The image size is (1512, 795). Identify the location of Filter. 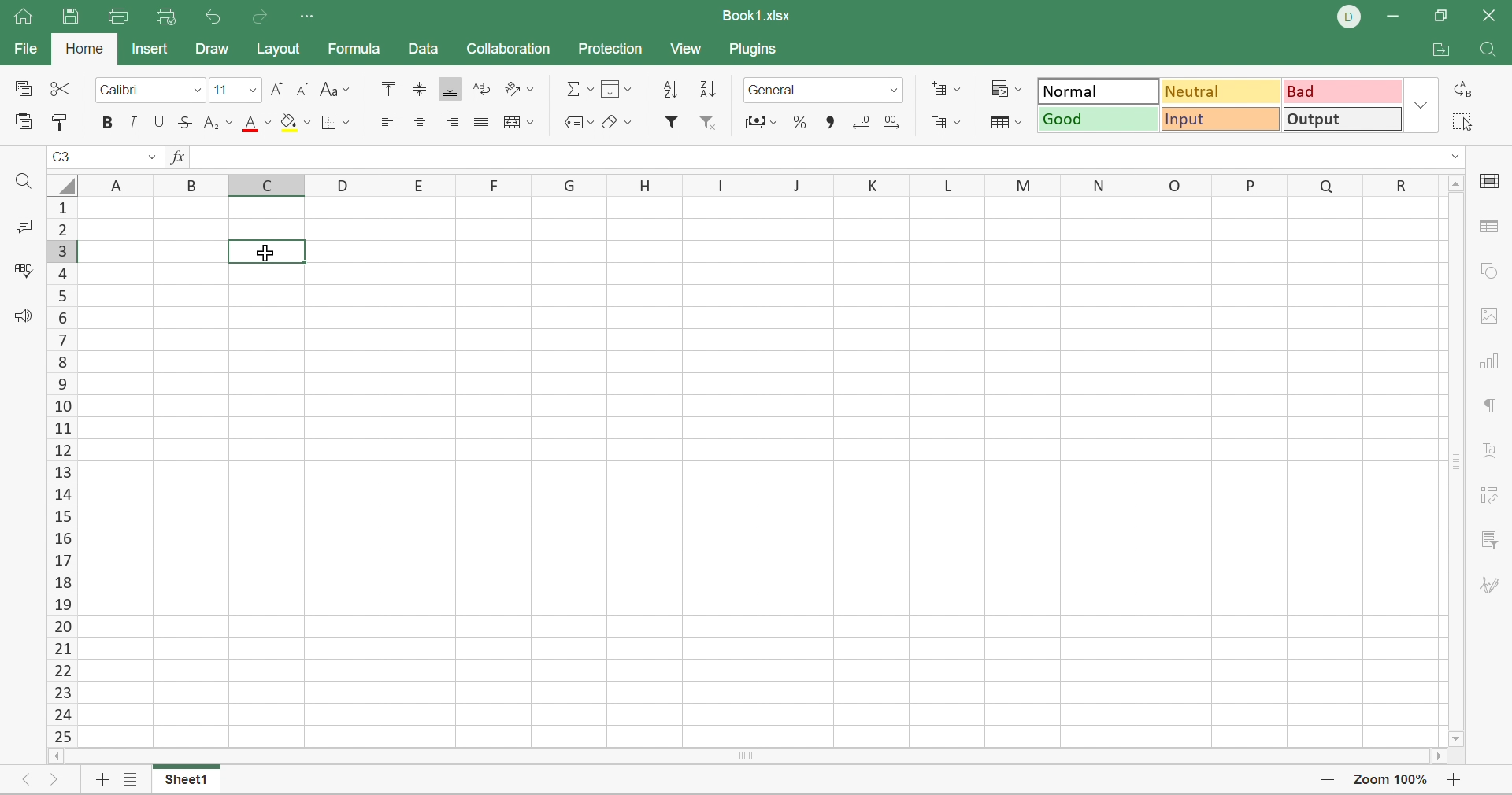
(673, 123).